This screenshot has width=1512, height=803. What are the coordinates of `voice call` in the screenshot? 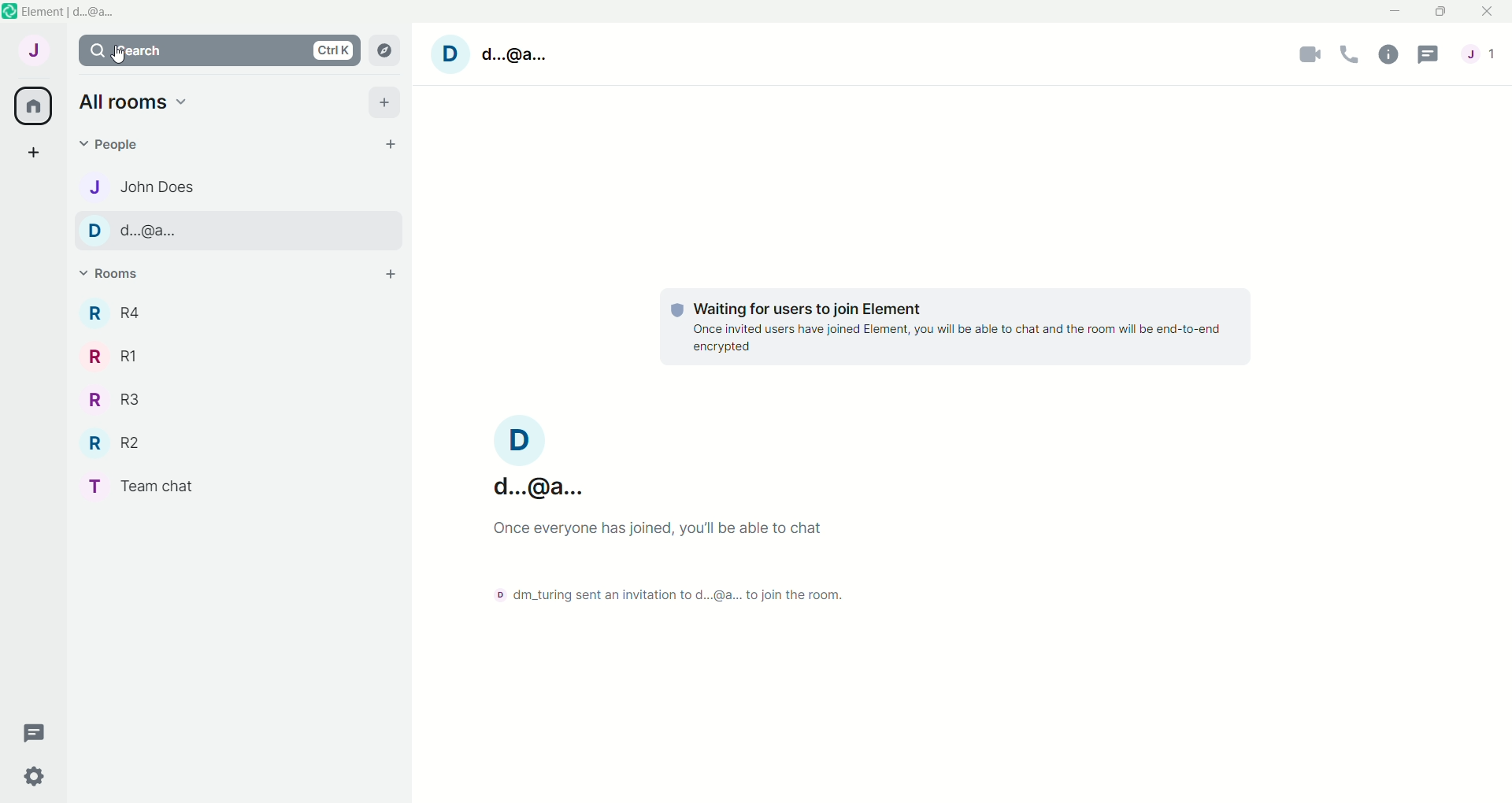 It's located at (1353, 55).